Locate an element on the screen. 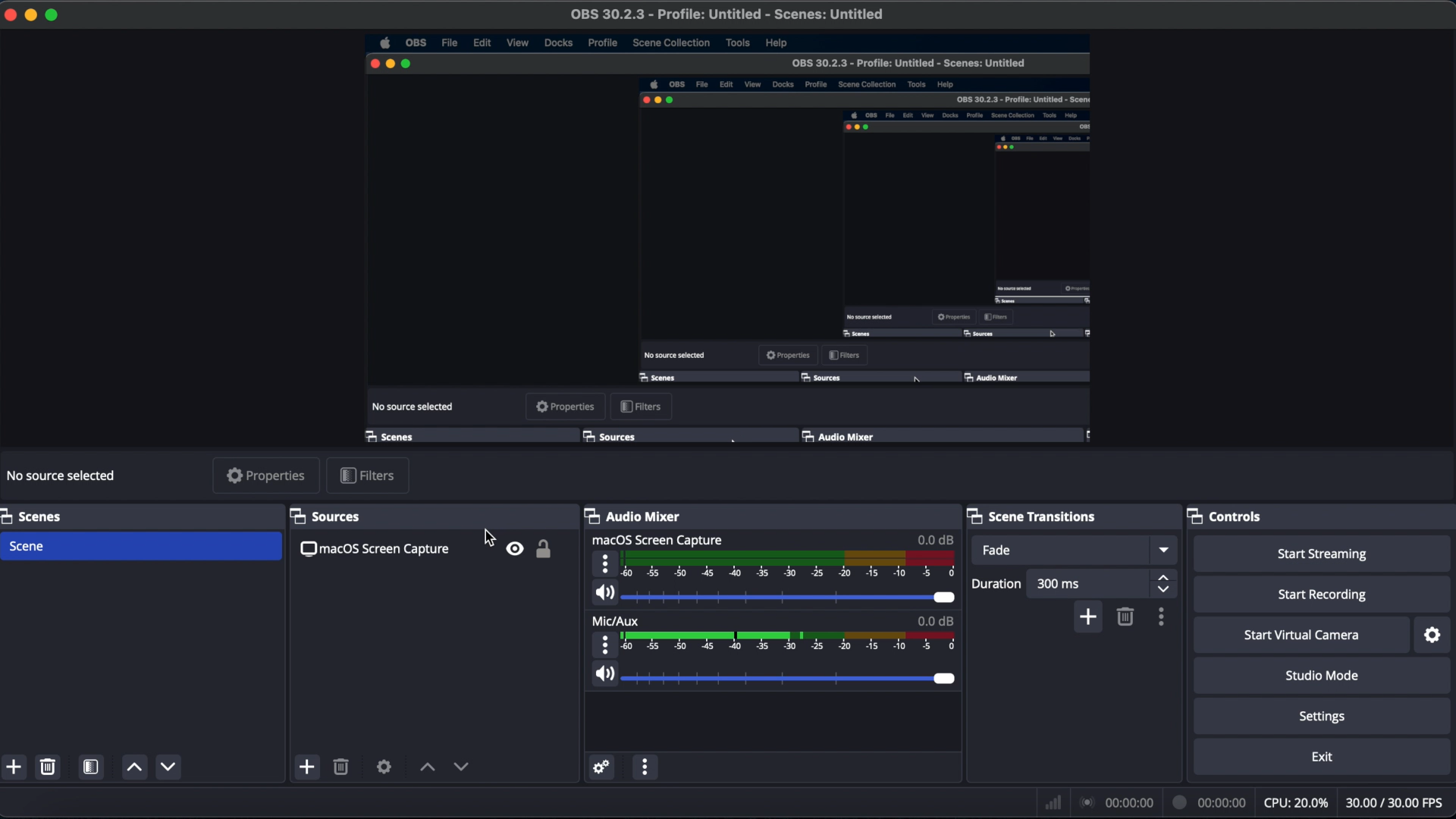 This screenshot has height=819, width=1456. full screen mode is located at coordinates (53, 16).